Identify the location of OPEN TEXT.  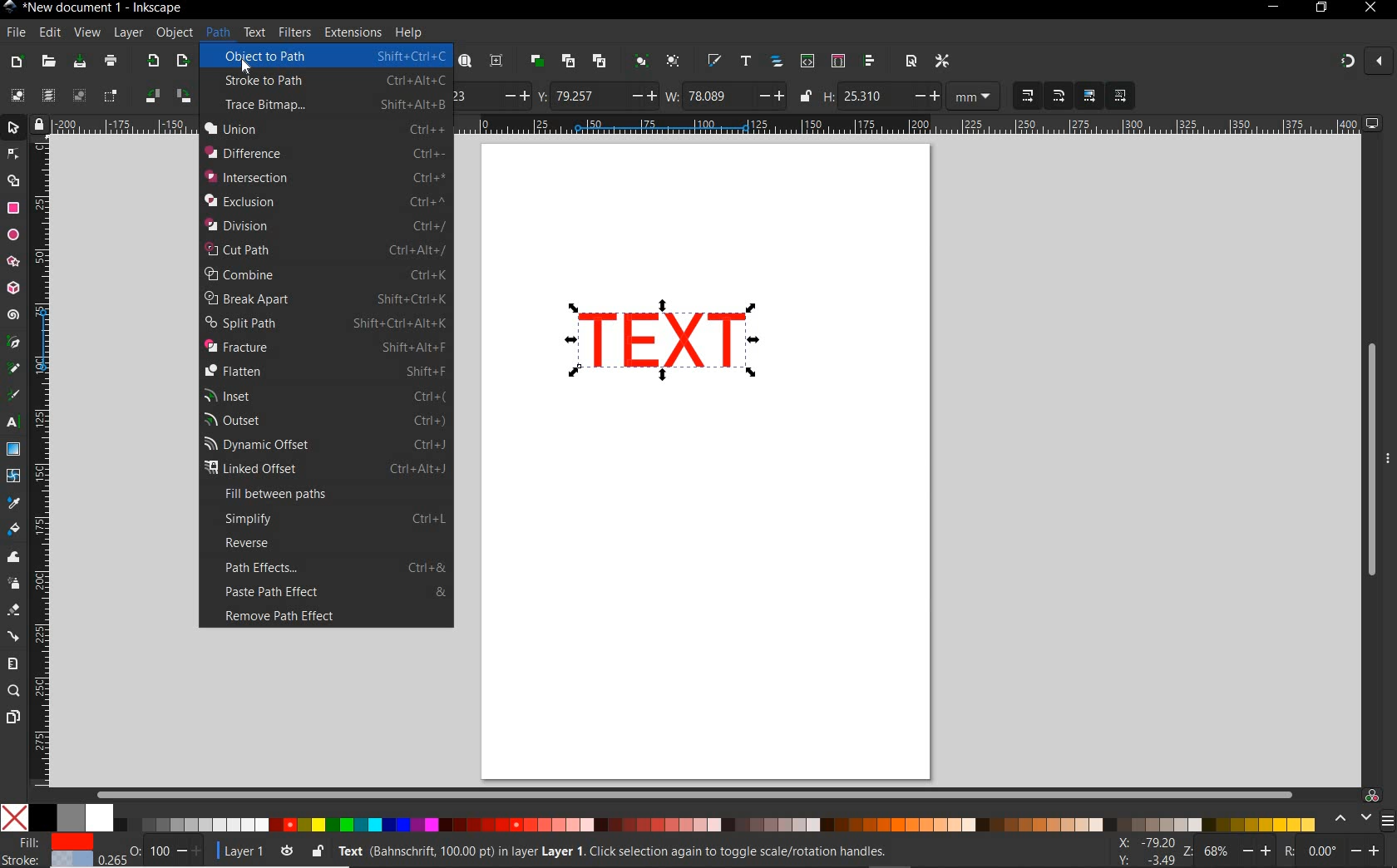
(744, 62).